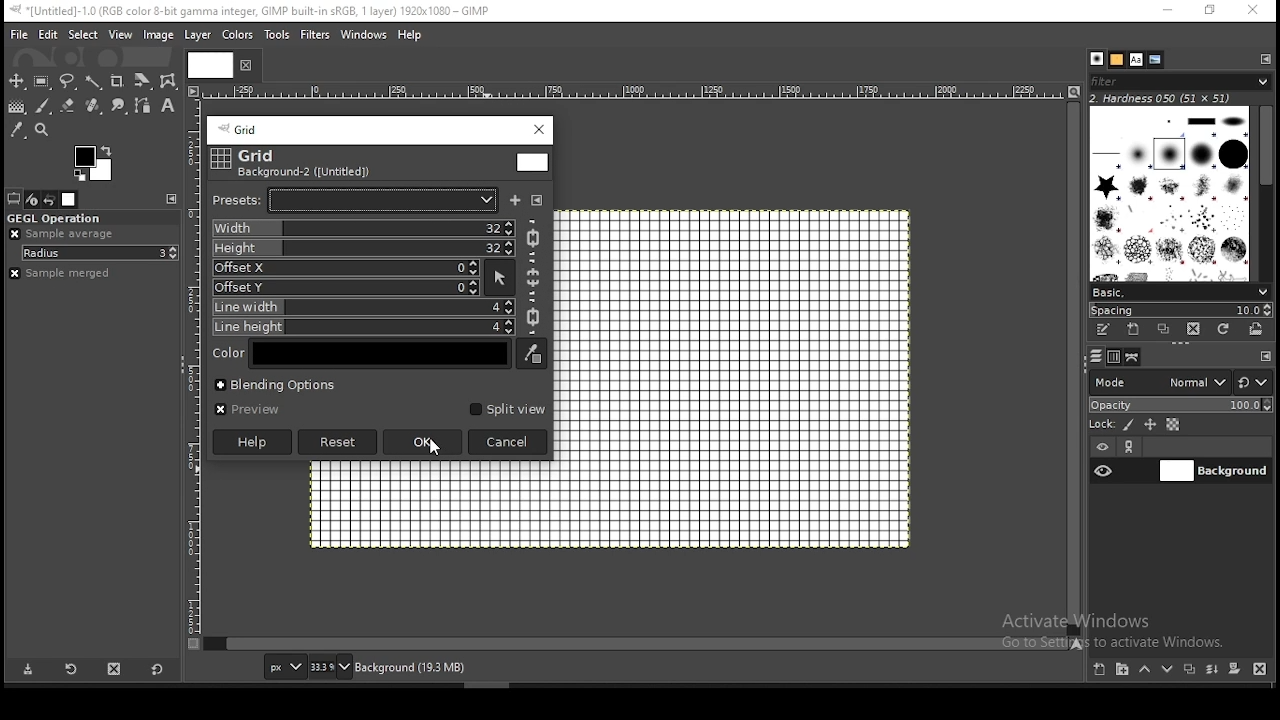 This screenshot has height=720, width=1280. What do you see at coordinates (1136, 358) in the screenshot?
I see `paths` at bounding box center [1136, 358].